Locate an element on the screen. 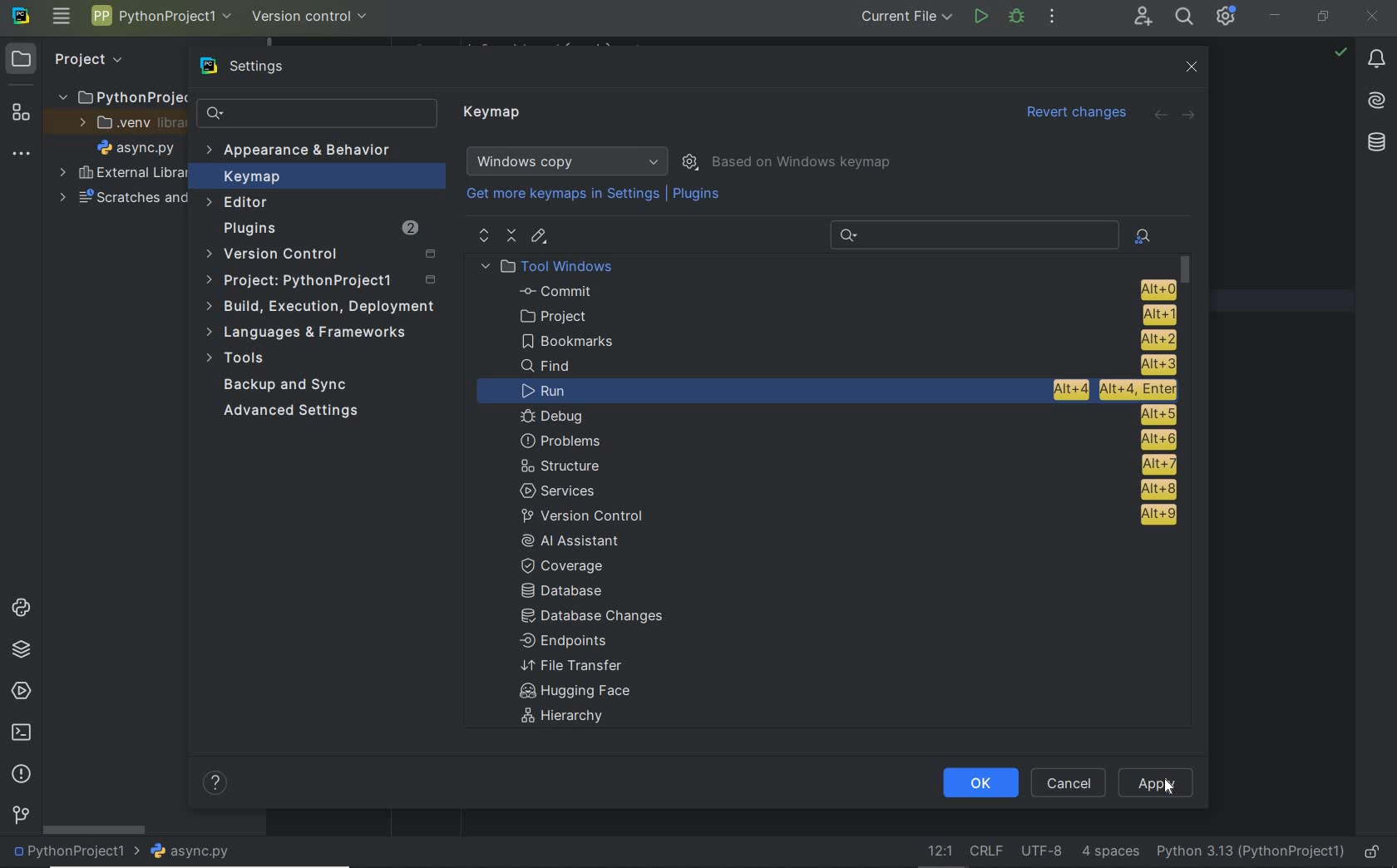 The height and width of the screenshot is (868, 1397). notifications is located at coordinates (1377, 60).